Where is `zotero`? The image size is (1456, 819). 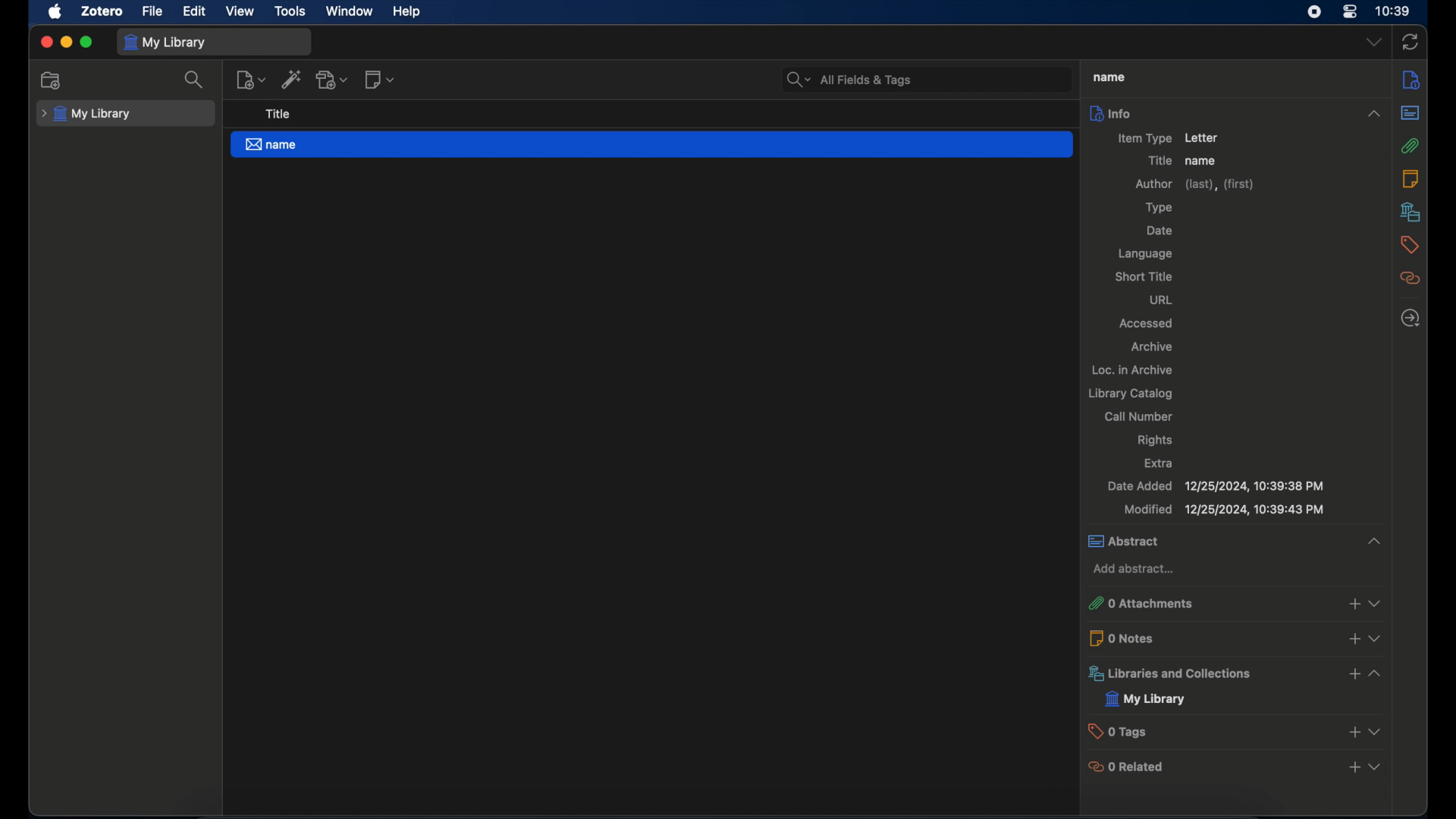 zotero is located at coordinates (103, 11).